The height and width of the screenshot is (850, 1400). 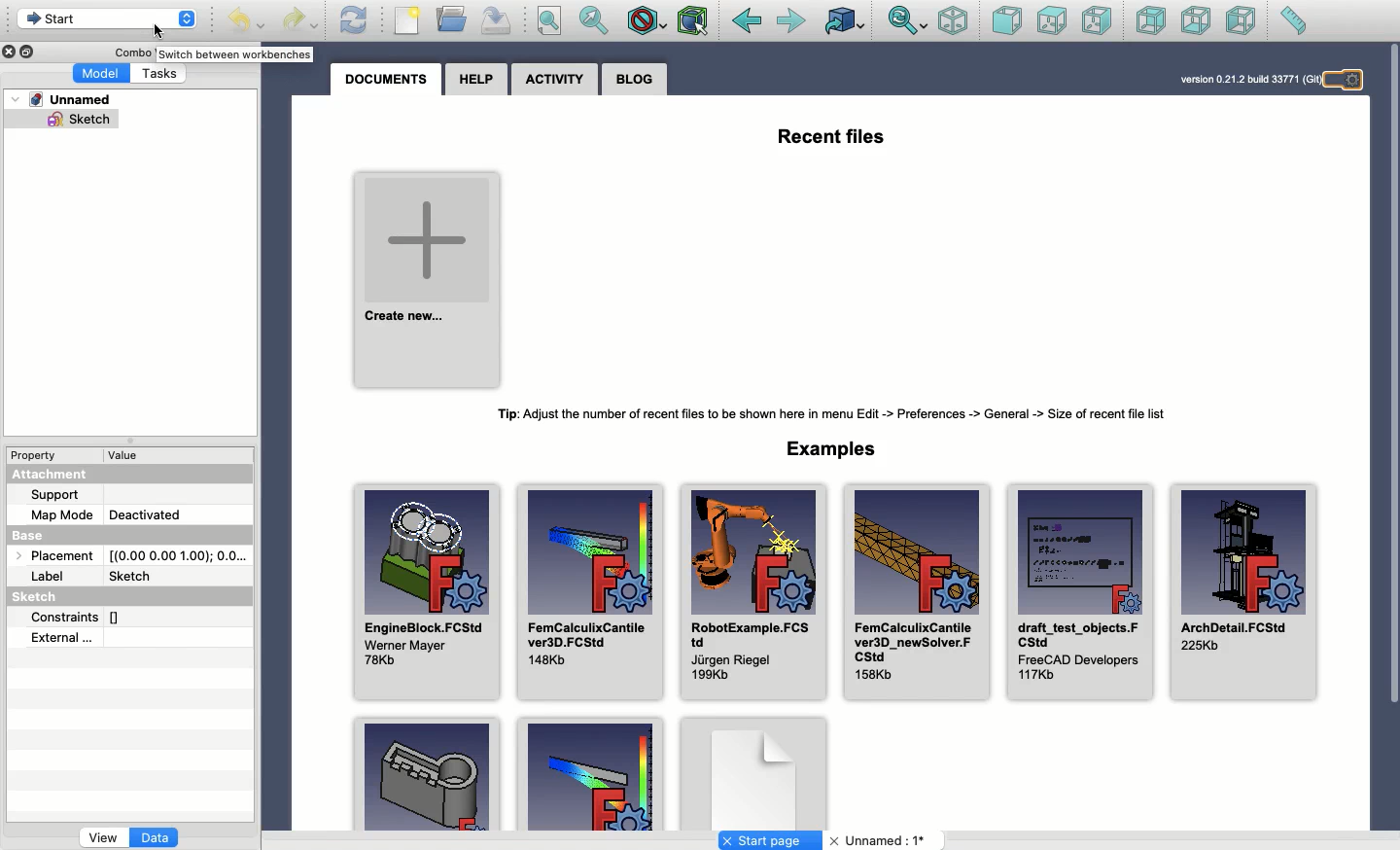 What do you see at coordinates (27, 51) in the screenshot?
I see `Duplicate` at bounding box center [27, 51].